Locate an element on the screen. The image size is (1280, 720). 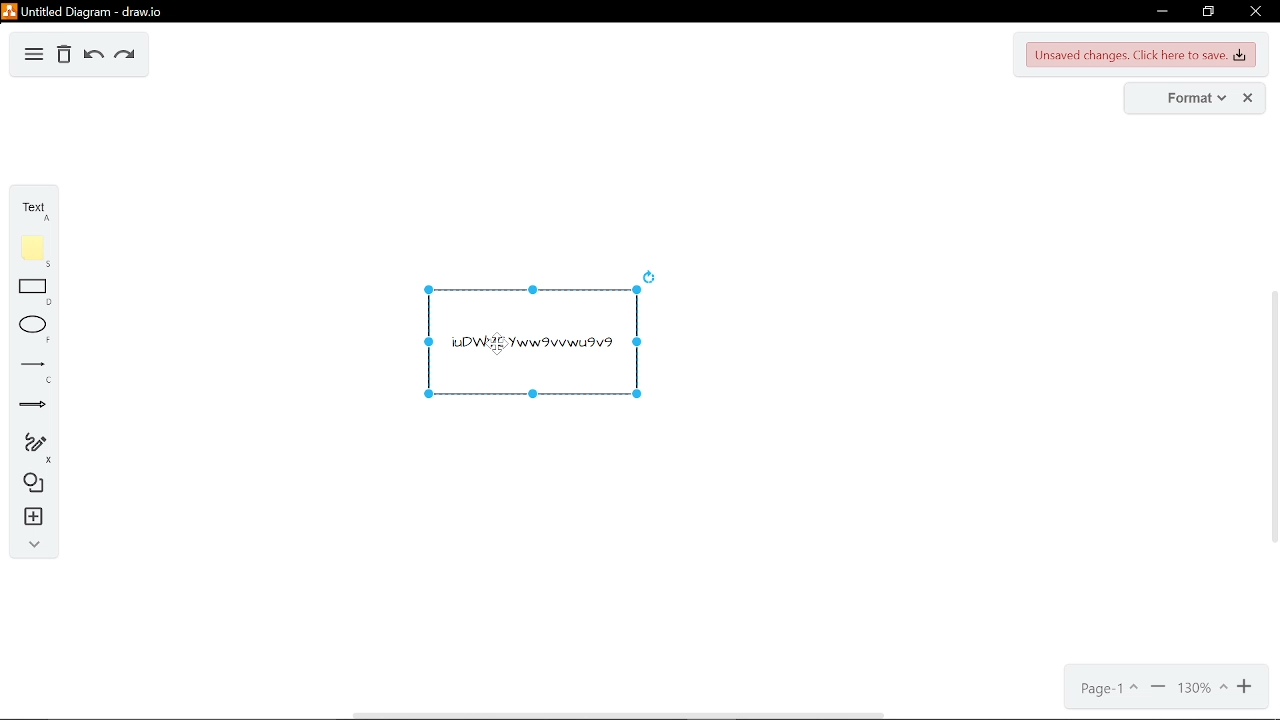
zoom out is located at coordinates (1156, 690).